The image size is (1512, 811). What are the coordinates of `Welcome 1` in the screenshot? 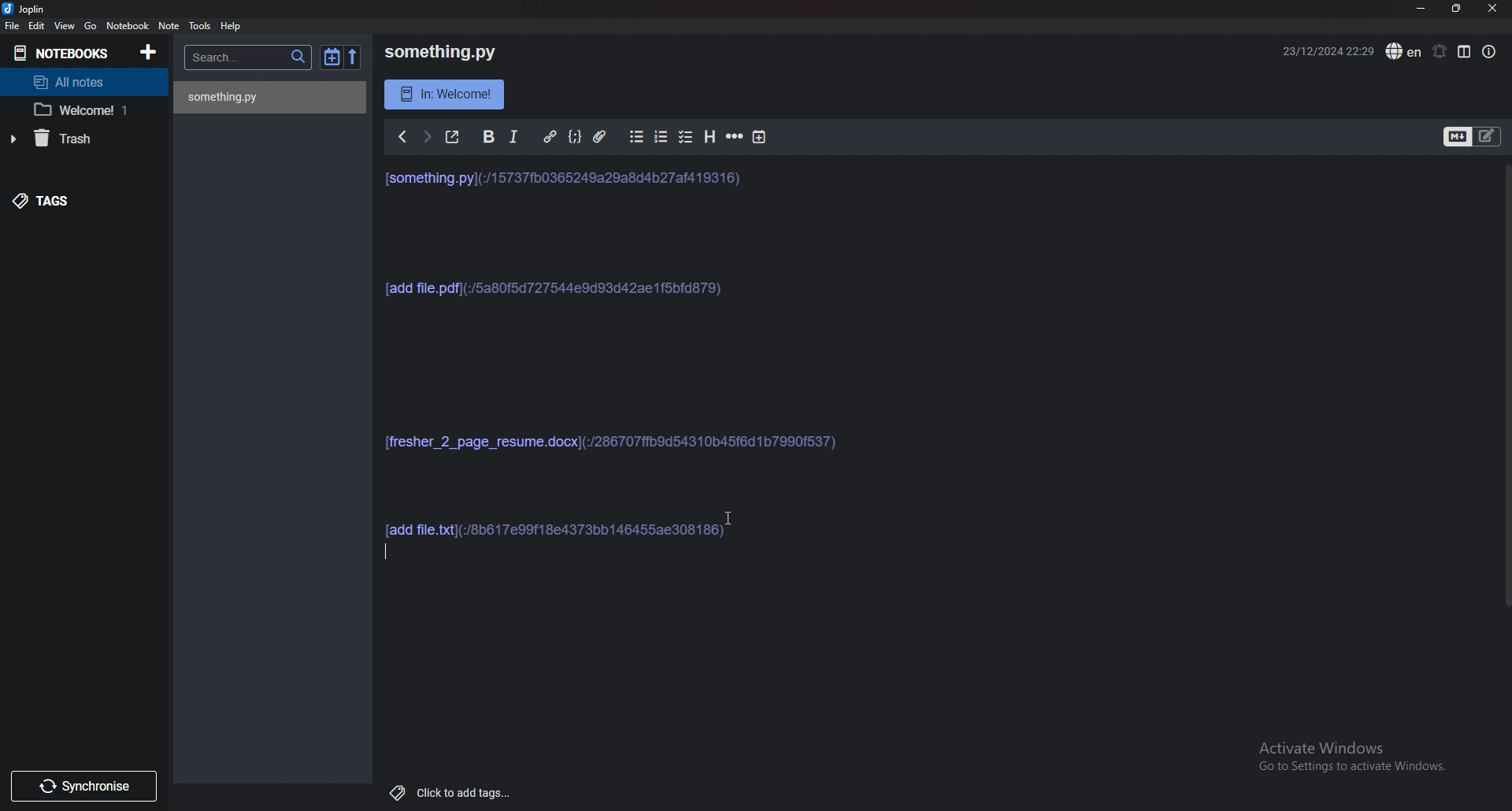 It's located at (76, 110).